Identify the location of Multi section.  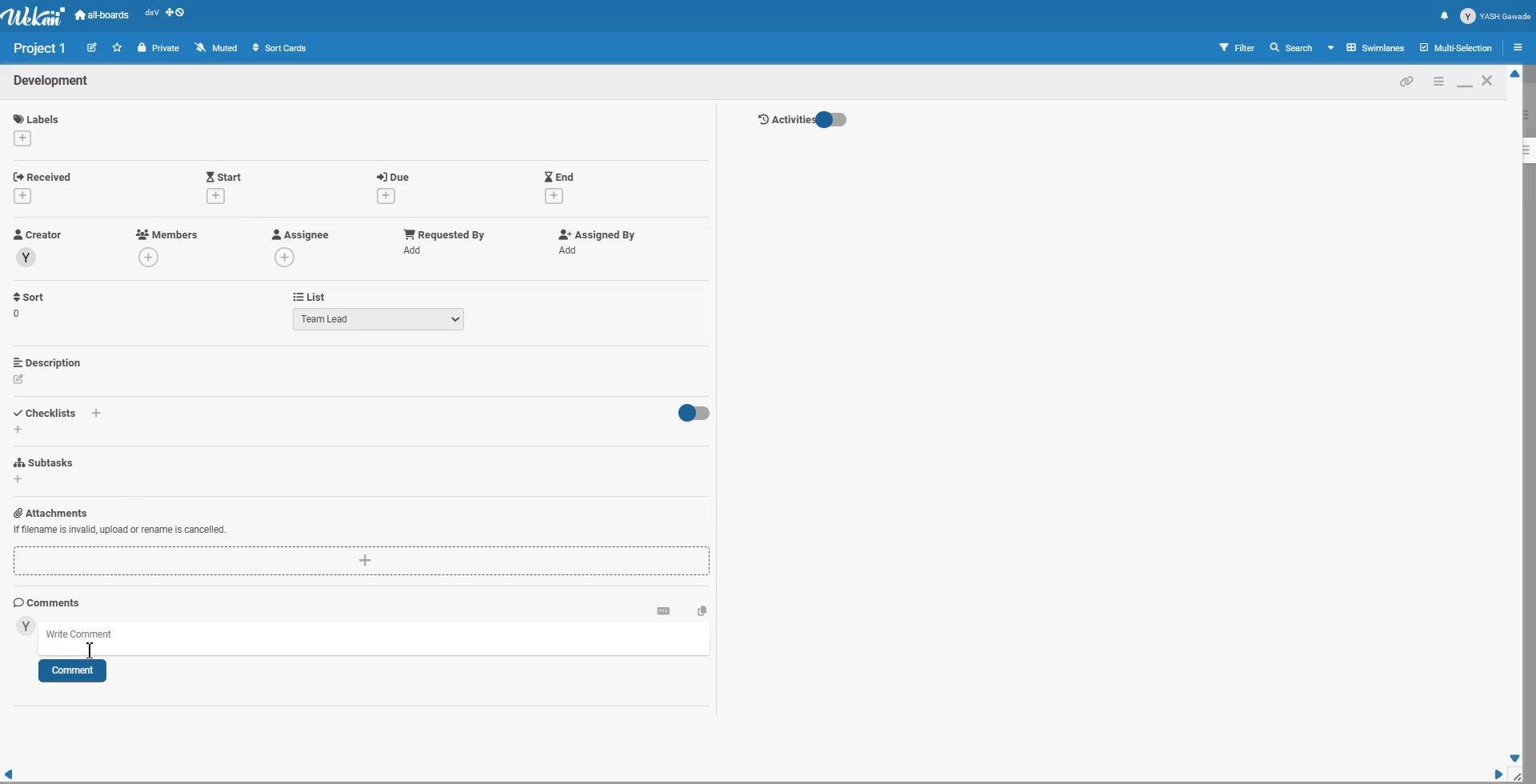
(1458, 47).